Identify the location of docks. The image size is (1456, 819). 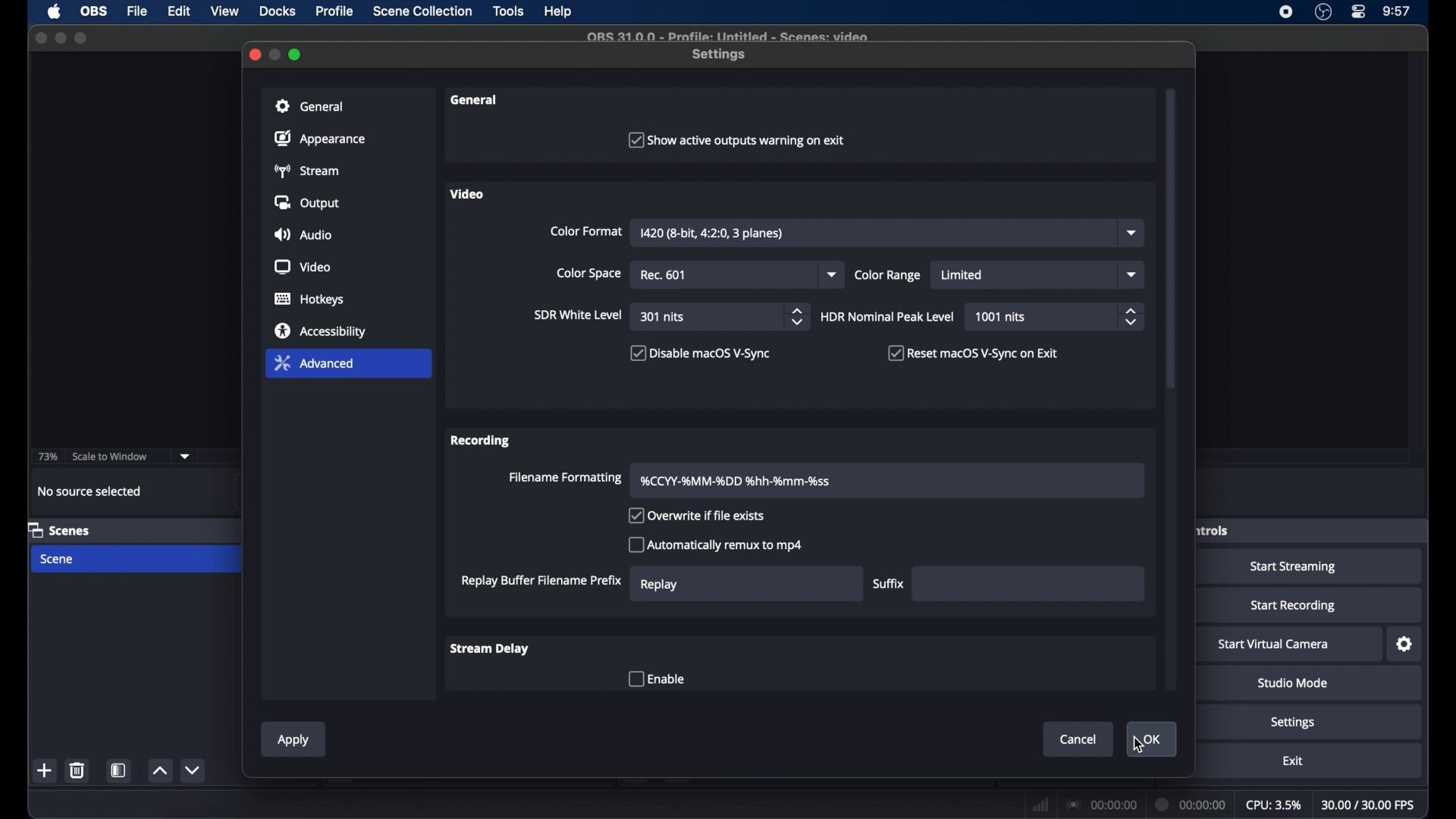
(278, 11).